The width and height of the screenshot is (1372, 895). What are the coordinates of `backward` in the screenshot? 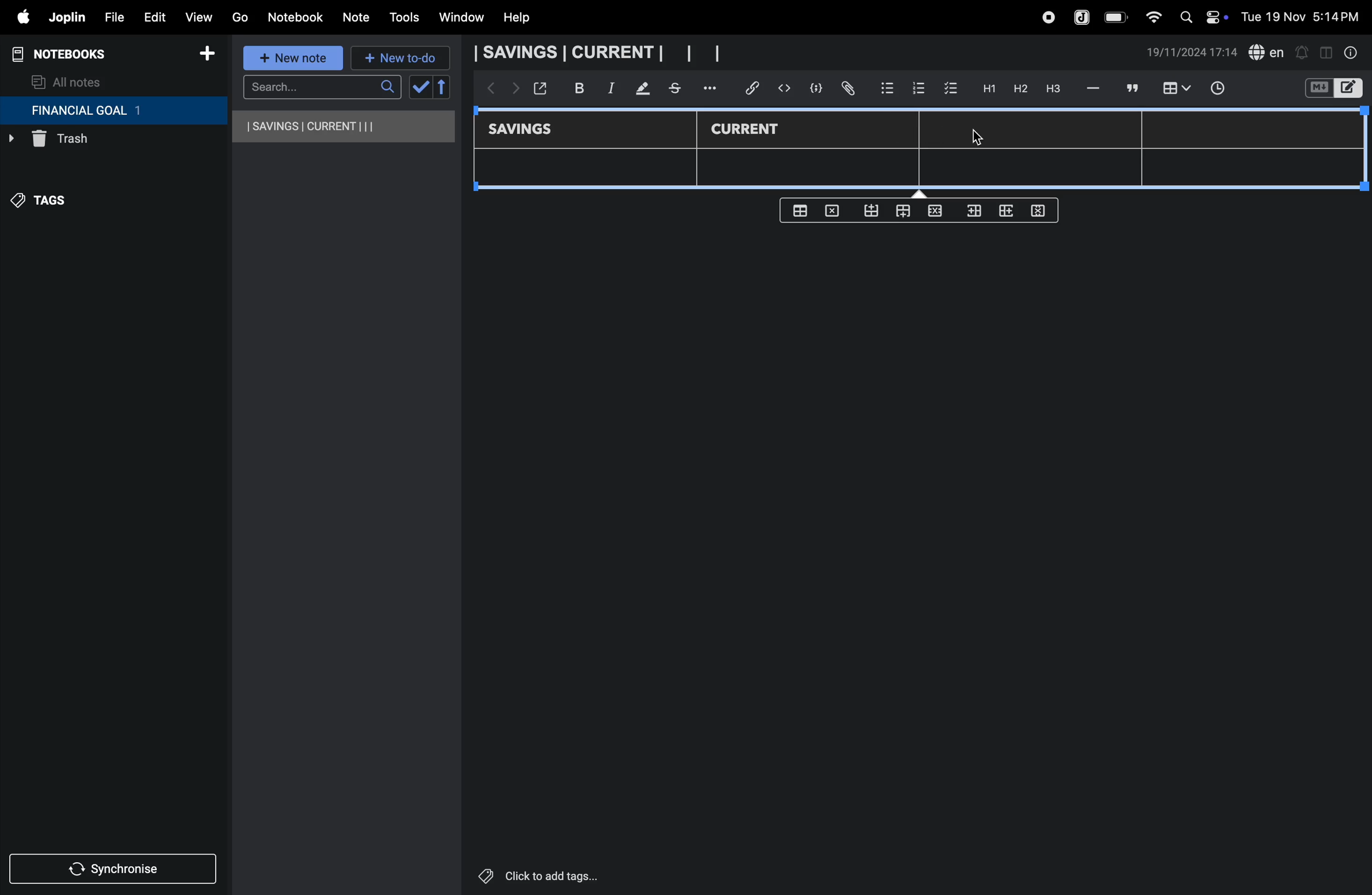 It's located at (487, 89).